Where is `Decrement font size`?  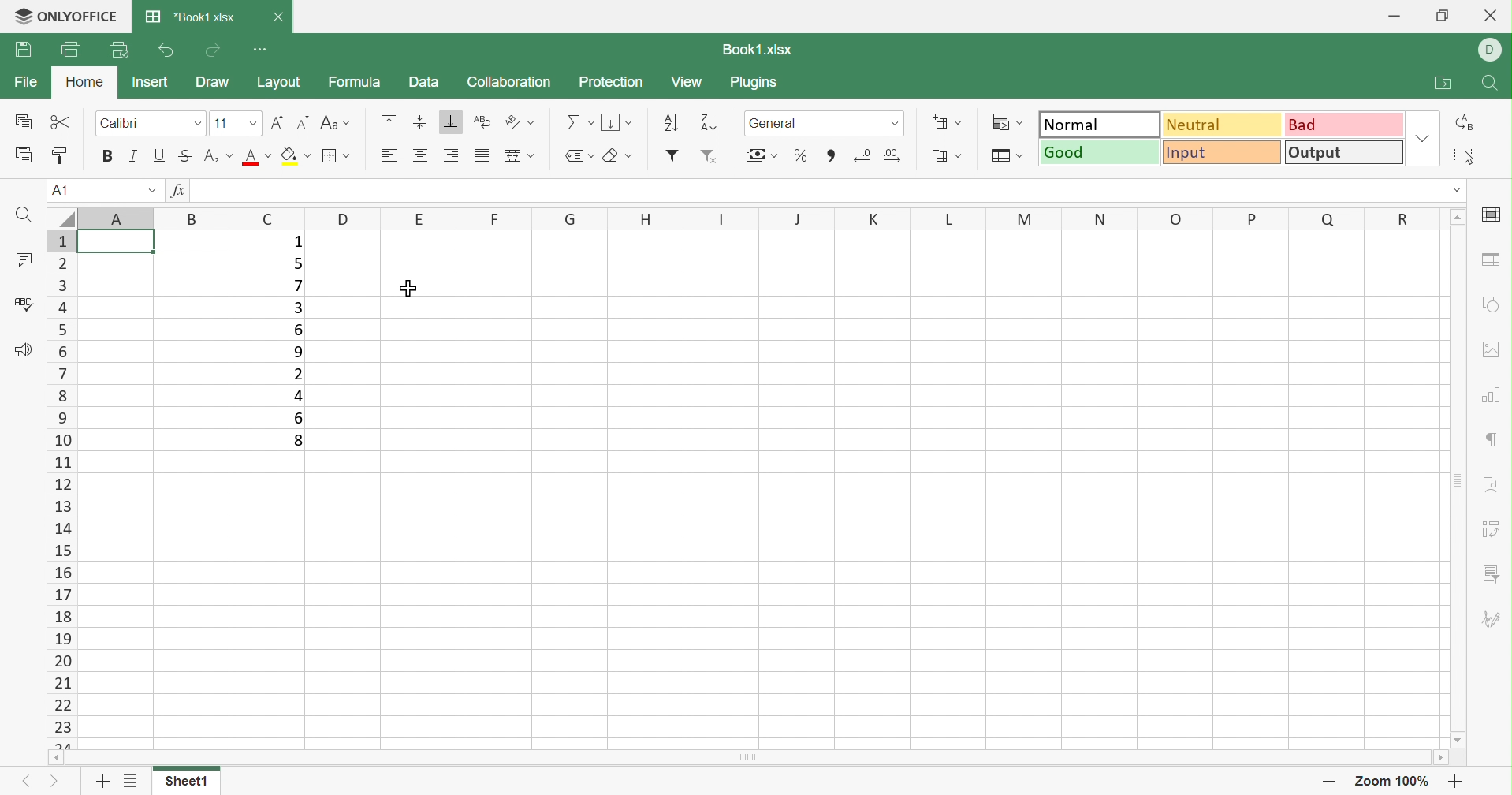 Decrement font size is located at coordinates (302, 123).